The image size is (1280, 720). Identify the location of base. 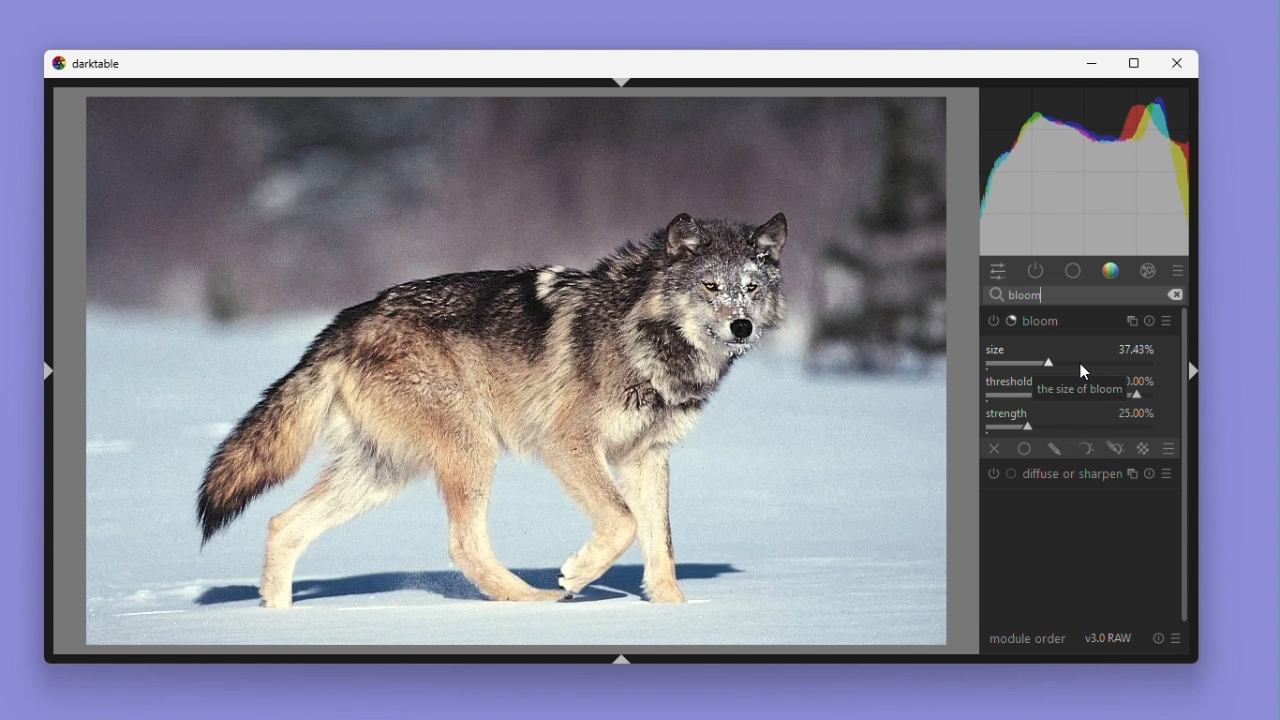
(1012, 473).